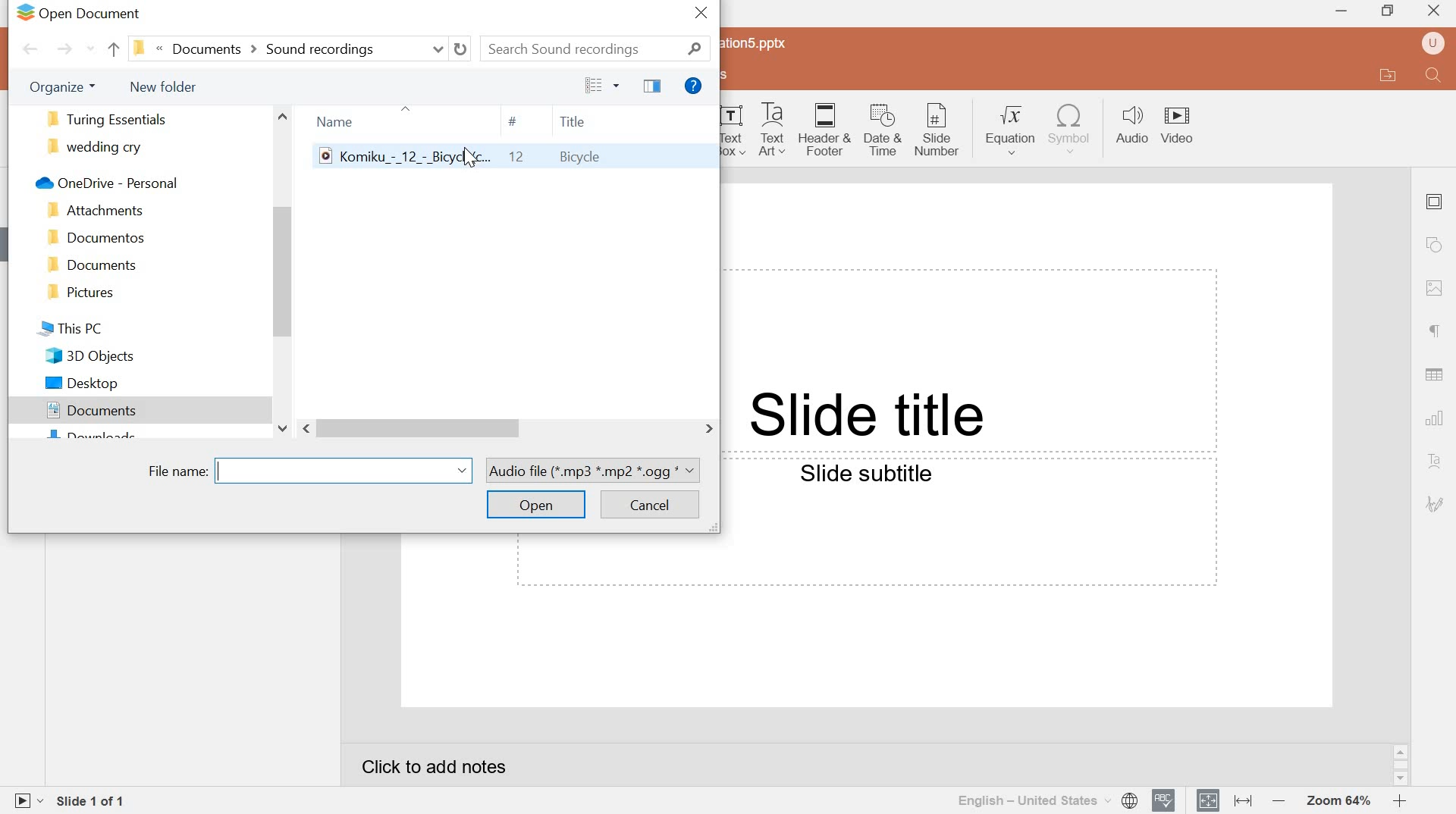 This screenshot has width=1456, height=814. I want to click on show the preview pane, so click(652, 86).